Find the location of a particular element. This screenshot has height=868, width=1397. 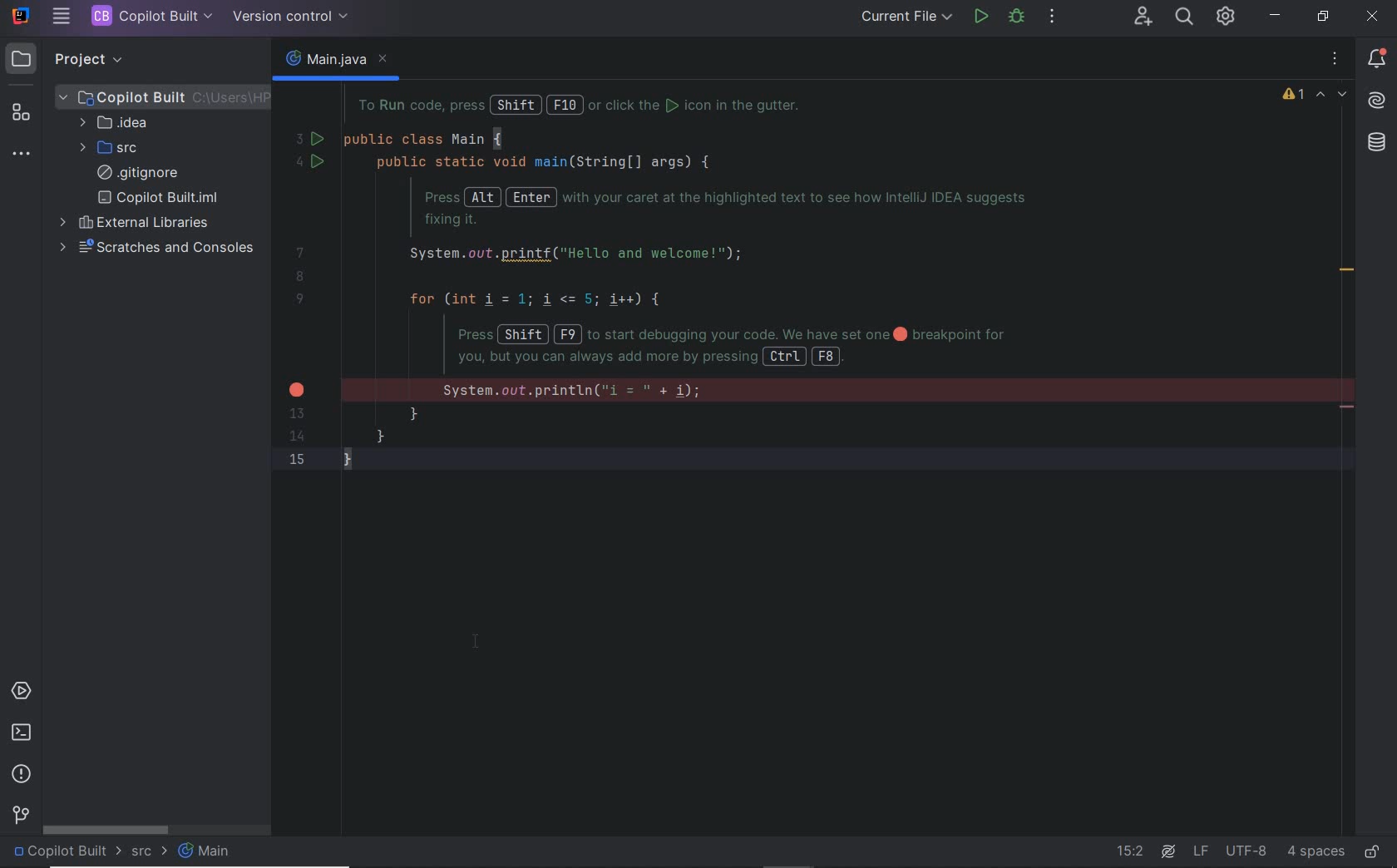

make file ready only is located at coordinates (1371, 851).